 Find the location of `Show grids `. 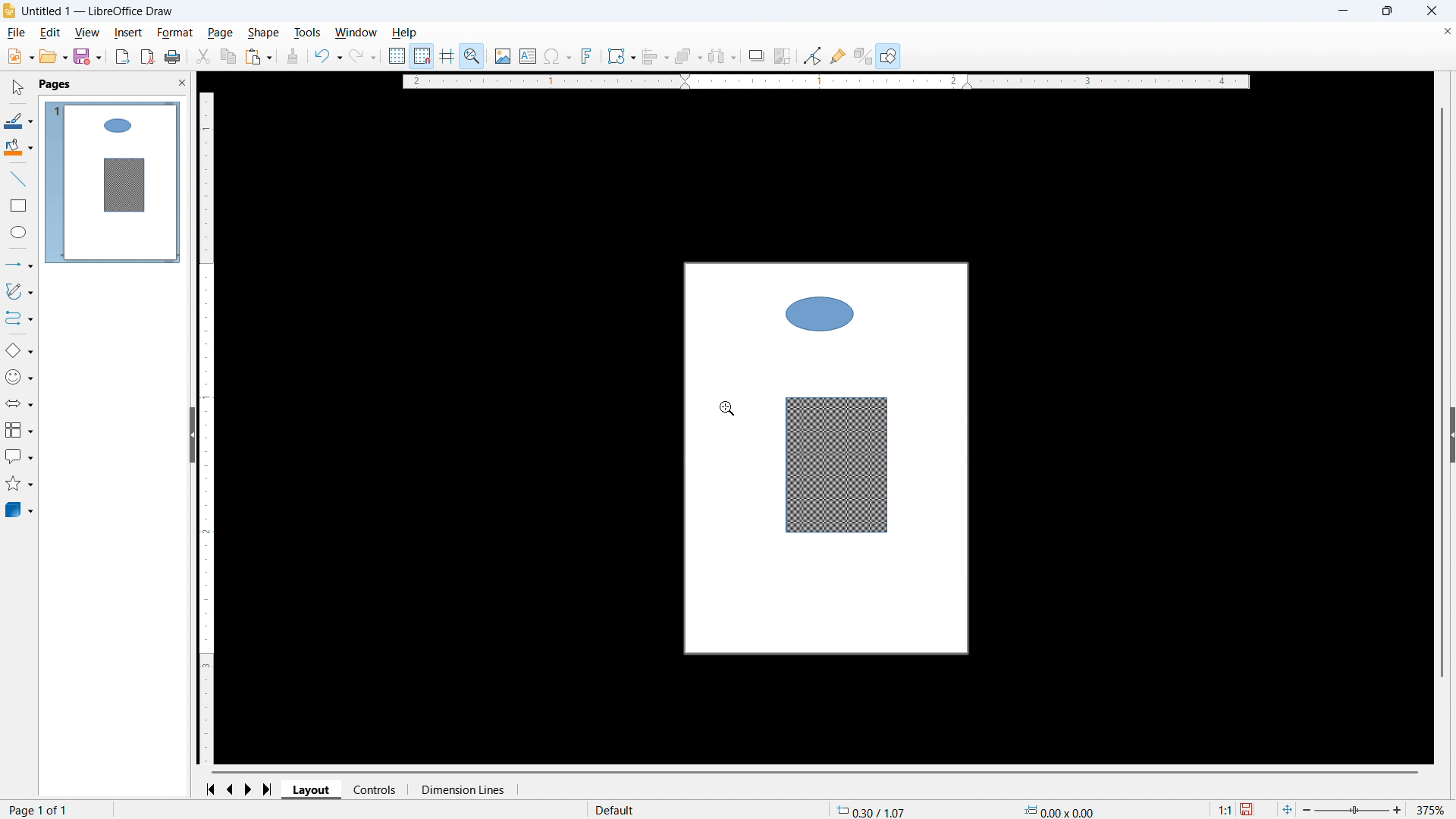

Show grids  is located at coordinates (397, 55).